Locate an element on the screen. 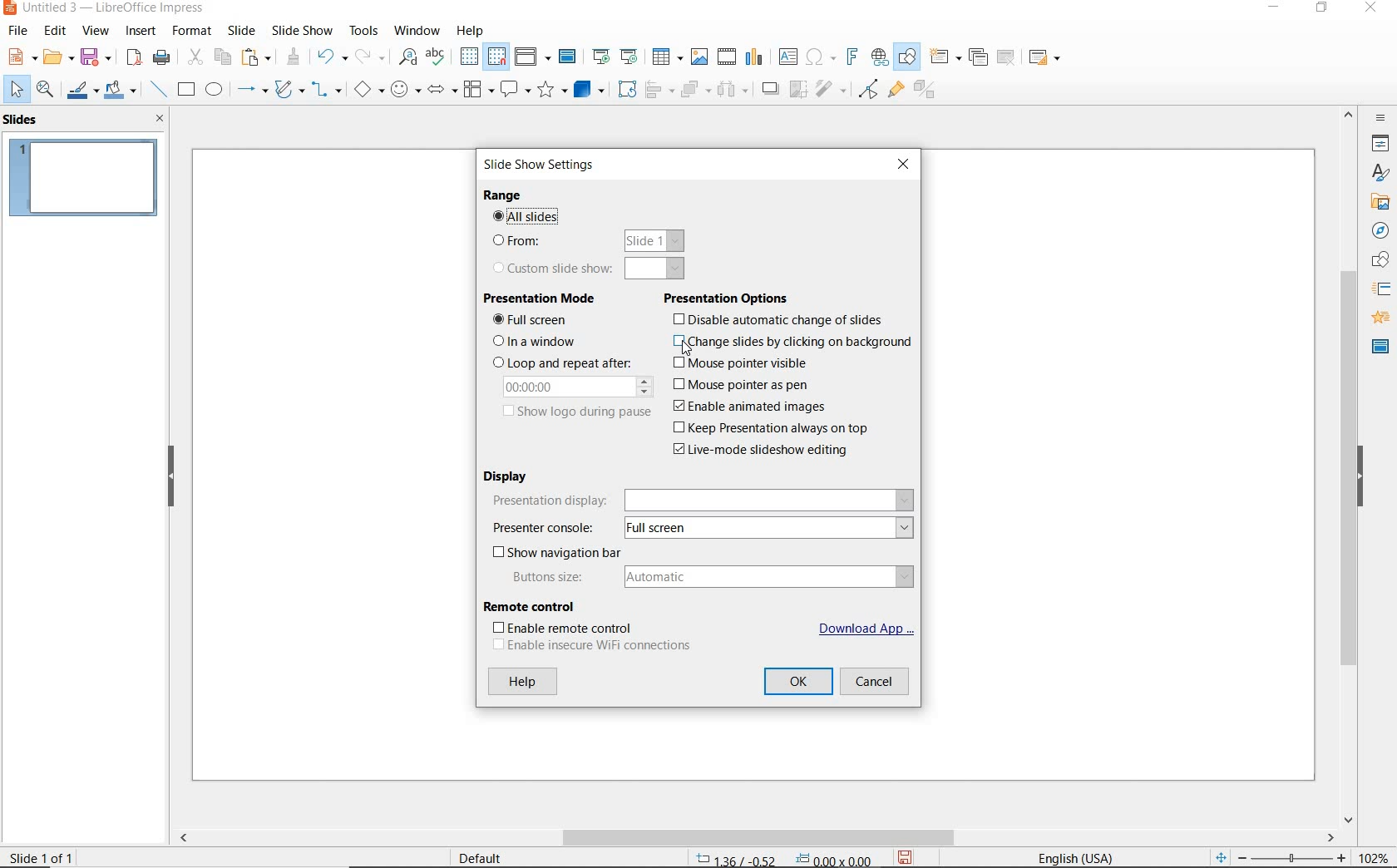 The image size is (1397, 868). 00.00.00 is located at coordinates (577, 386).